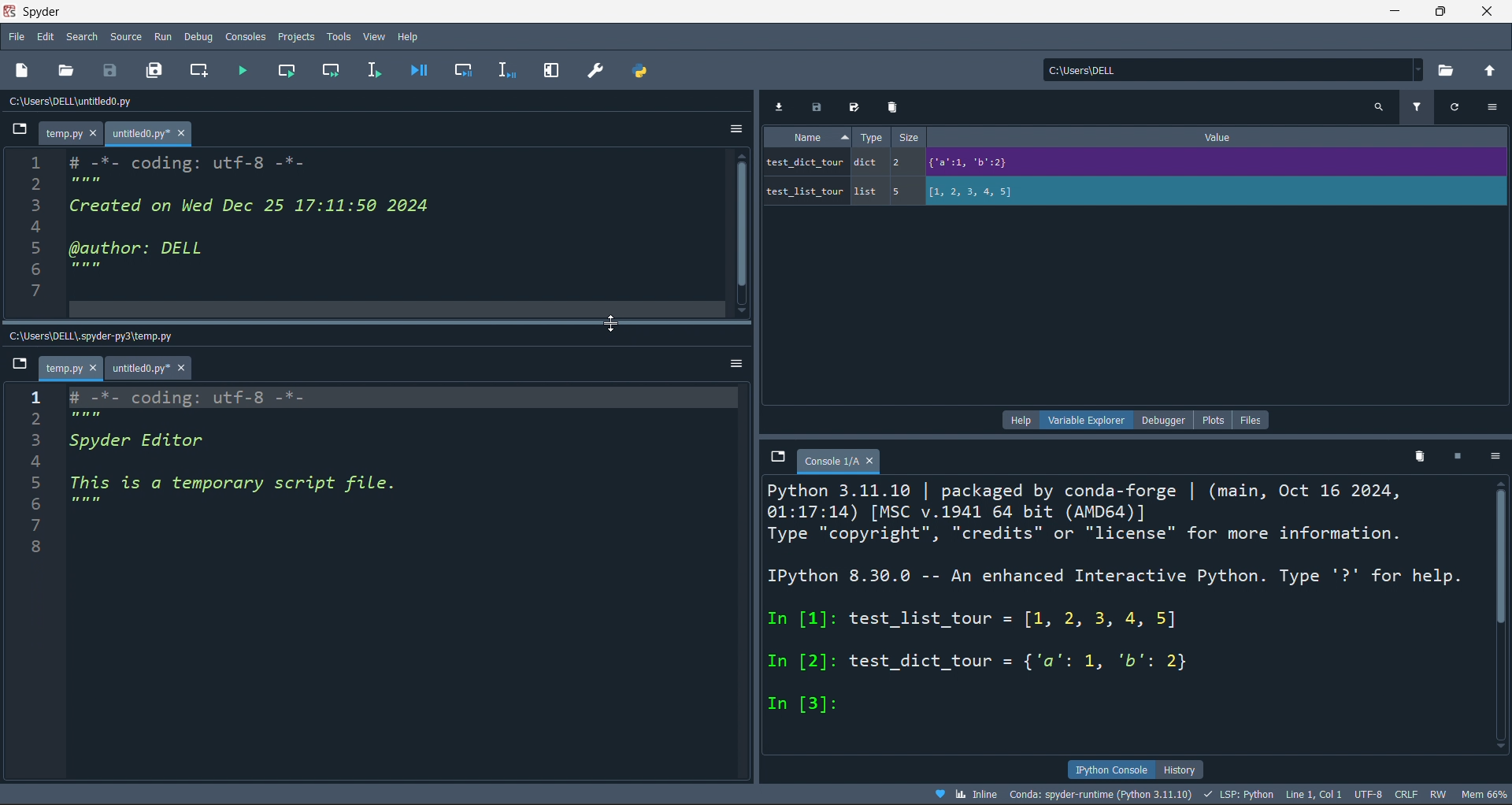 Image resolution: width=1512 pixels, height=805 pixels. Describe the element at coordinates (152, 369) in the screenshot. I see `untitledo.py* ` at that location.